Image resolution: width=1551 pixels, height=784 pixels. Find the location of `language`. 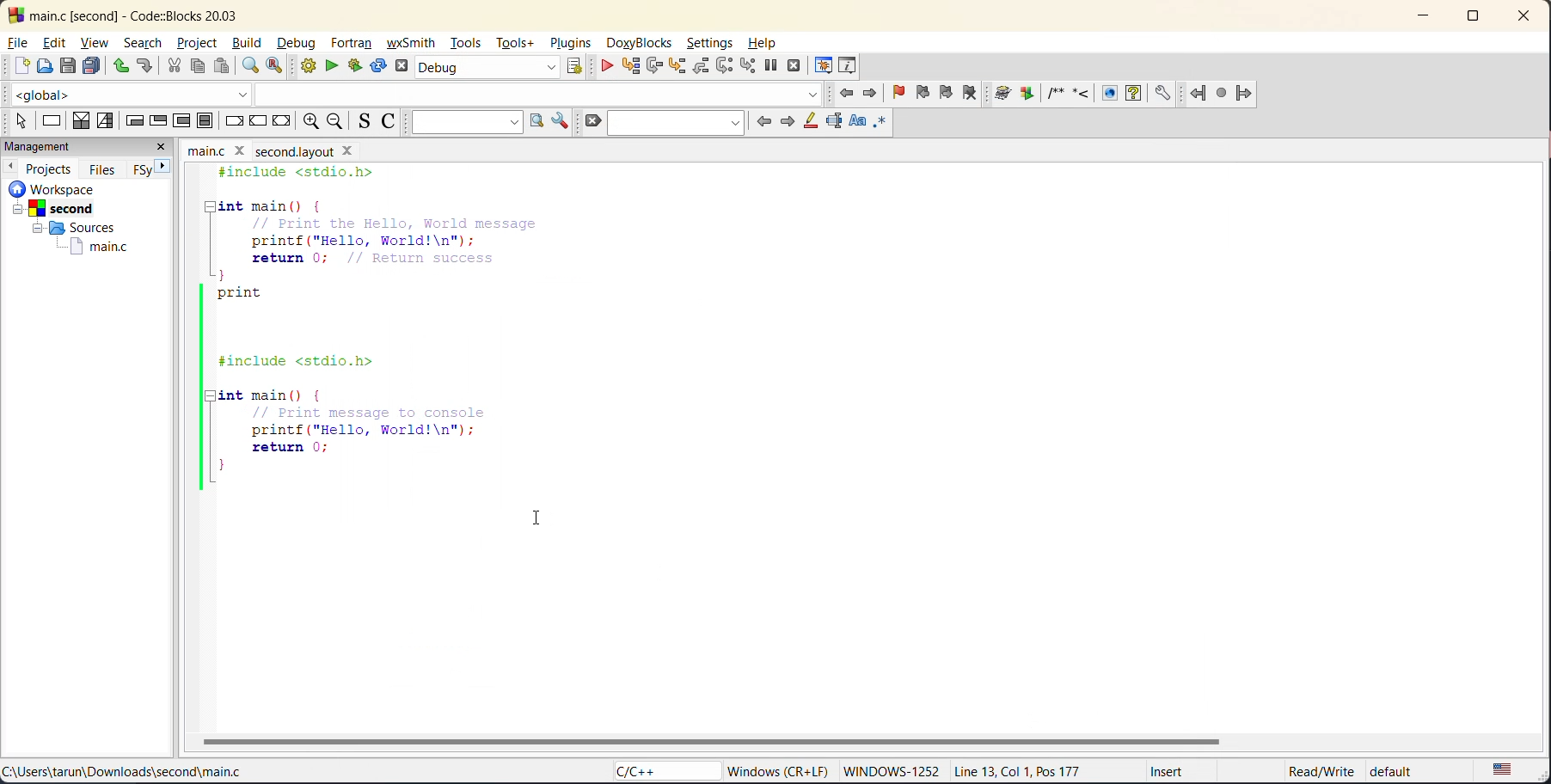

language is located at coordinates (658, 772).